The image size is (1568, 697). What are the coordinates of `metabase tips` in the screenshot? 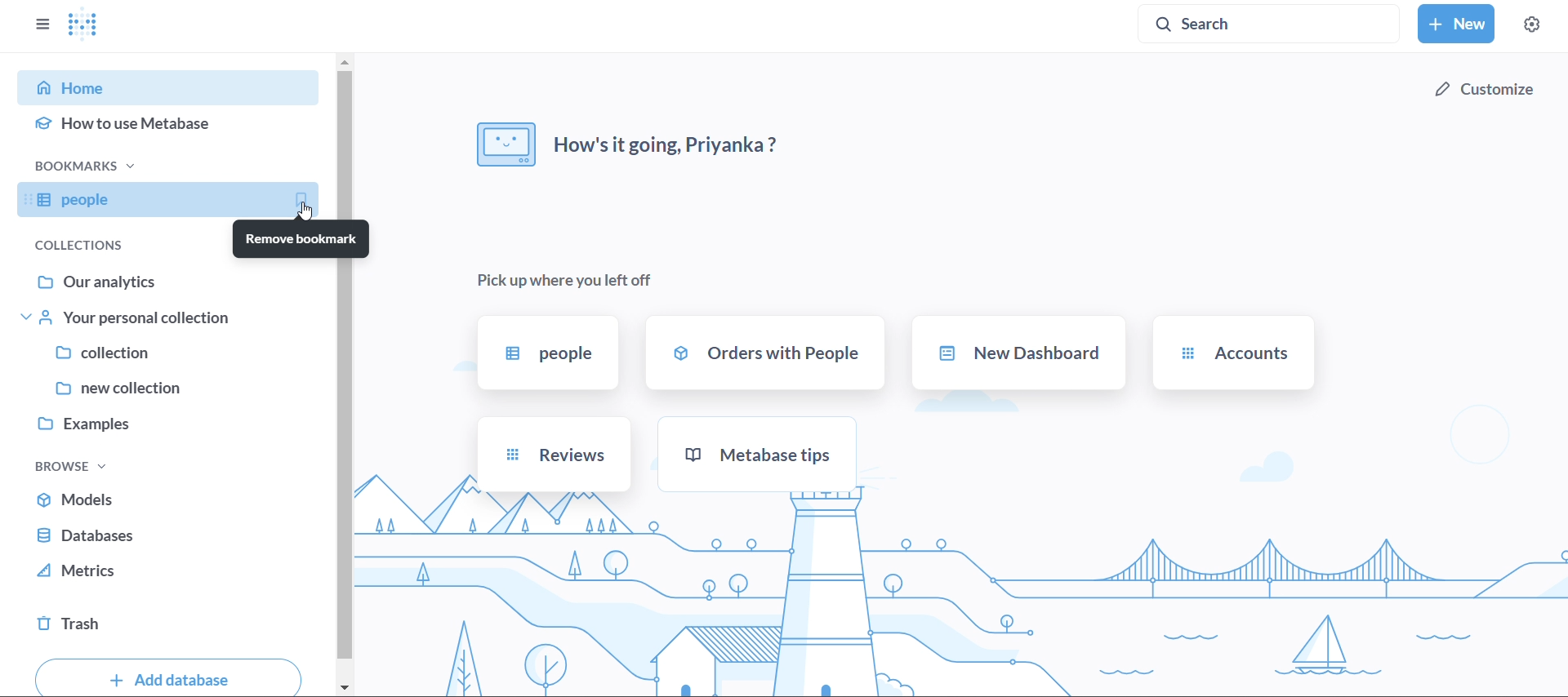 It's located at (756, 454).